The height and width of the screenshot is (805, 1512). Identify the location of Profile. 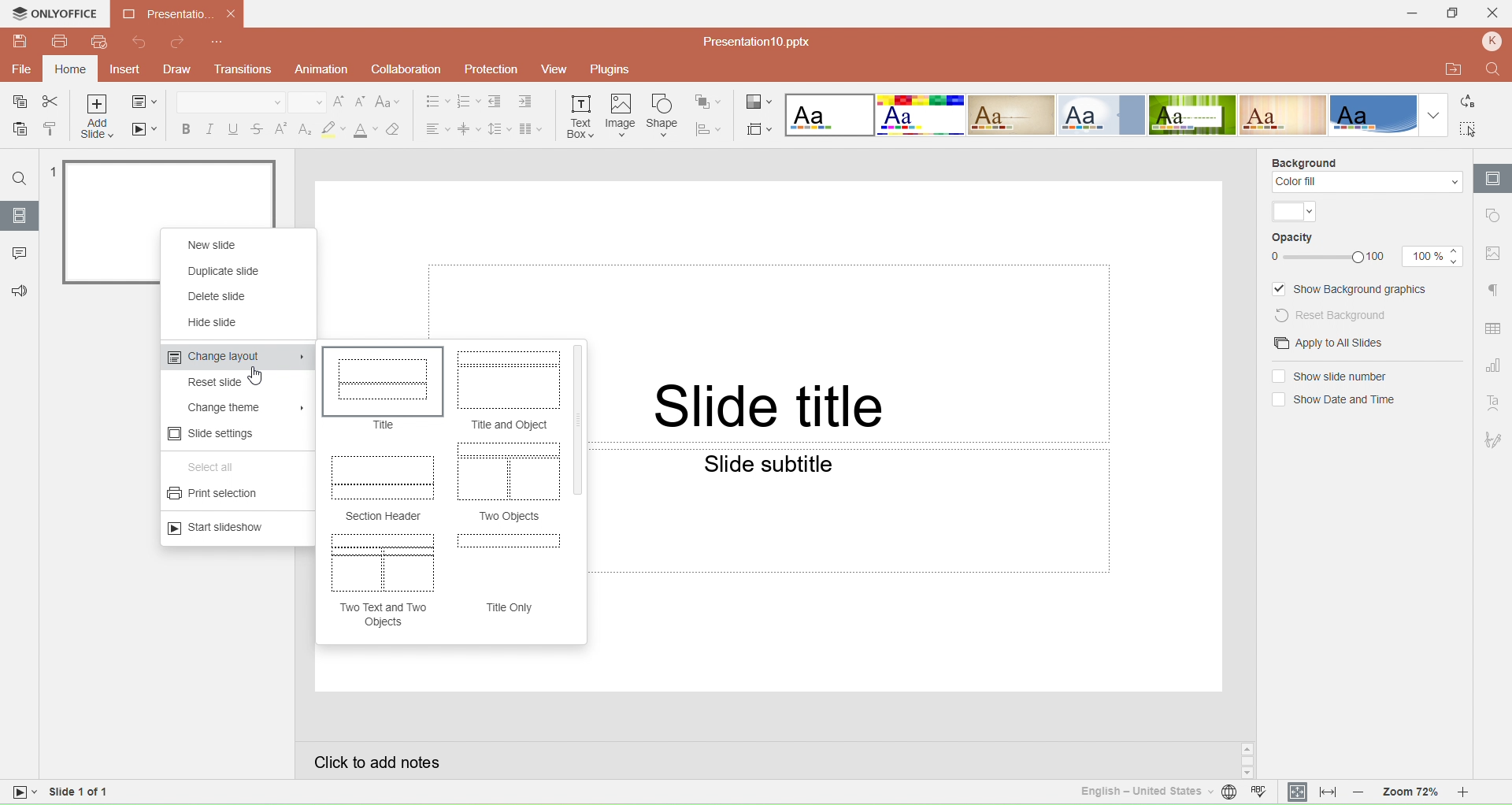
(1492, 43).